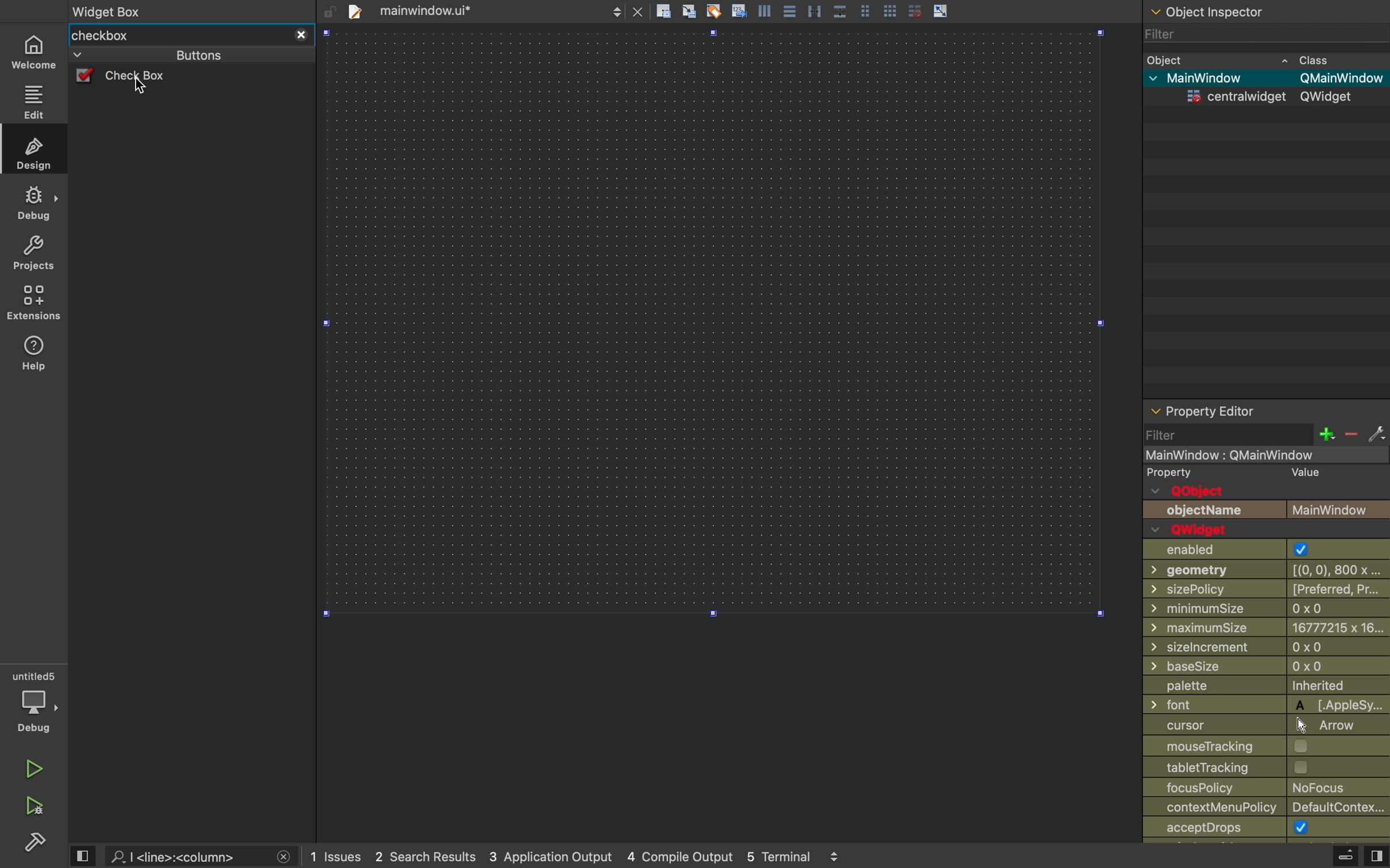 Image resolution: width=1390 pixels, height=868 pixels. What do you see at coordinates (1171, 474) in the screenshot?
I see `property` at bounding box center [1171, 474].